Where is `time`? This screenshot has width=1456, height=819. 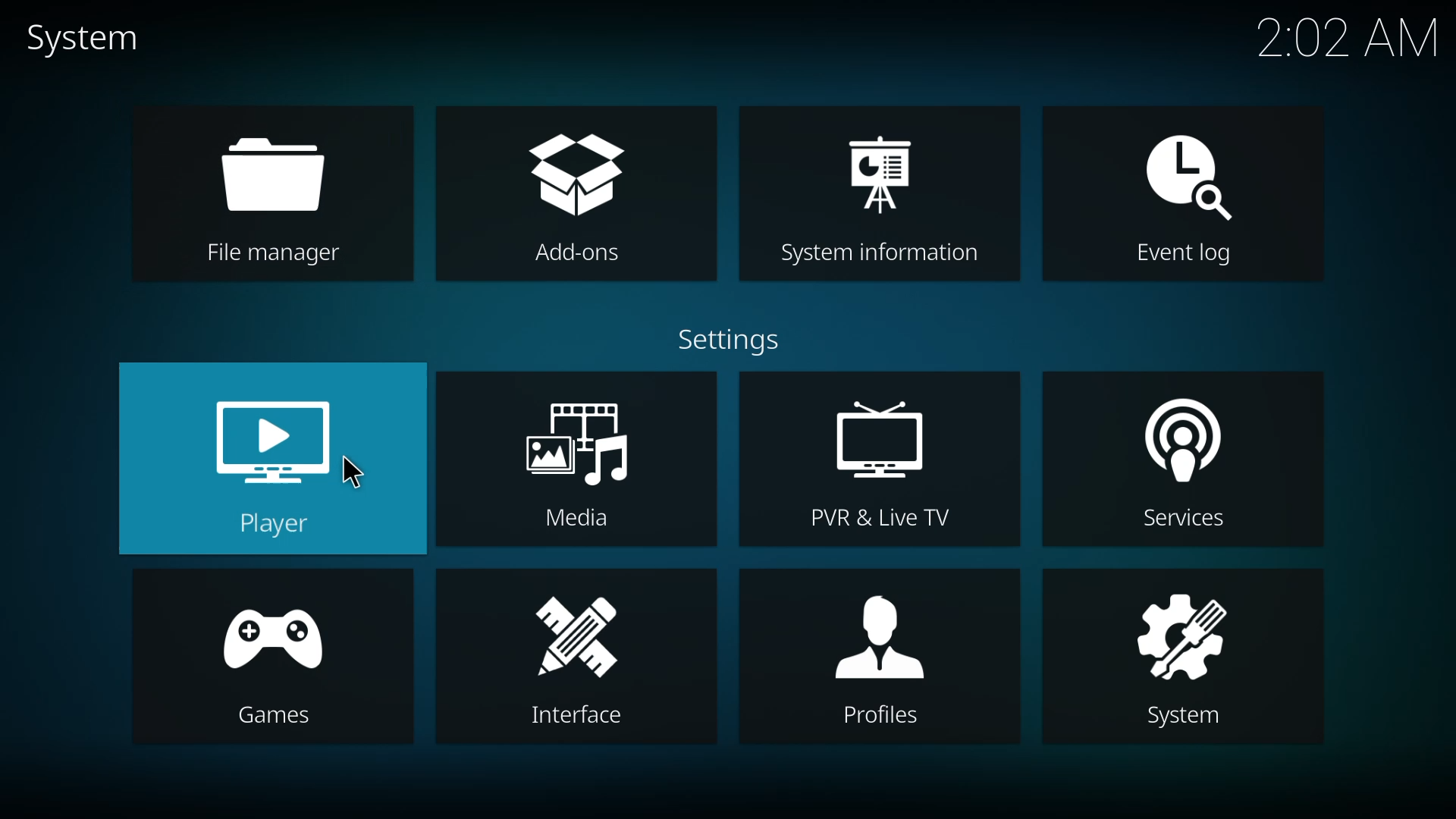 time is located at coordinates (1348, 35).